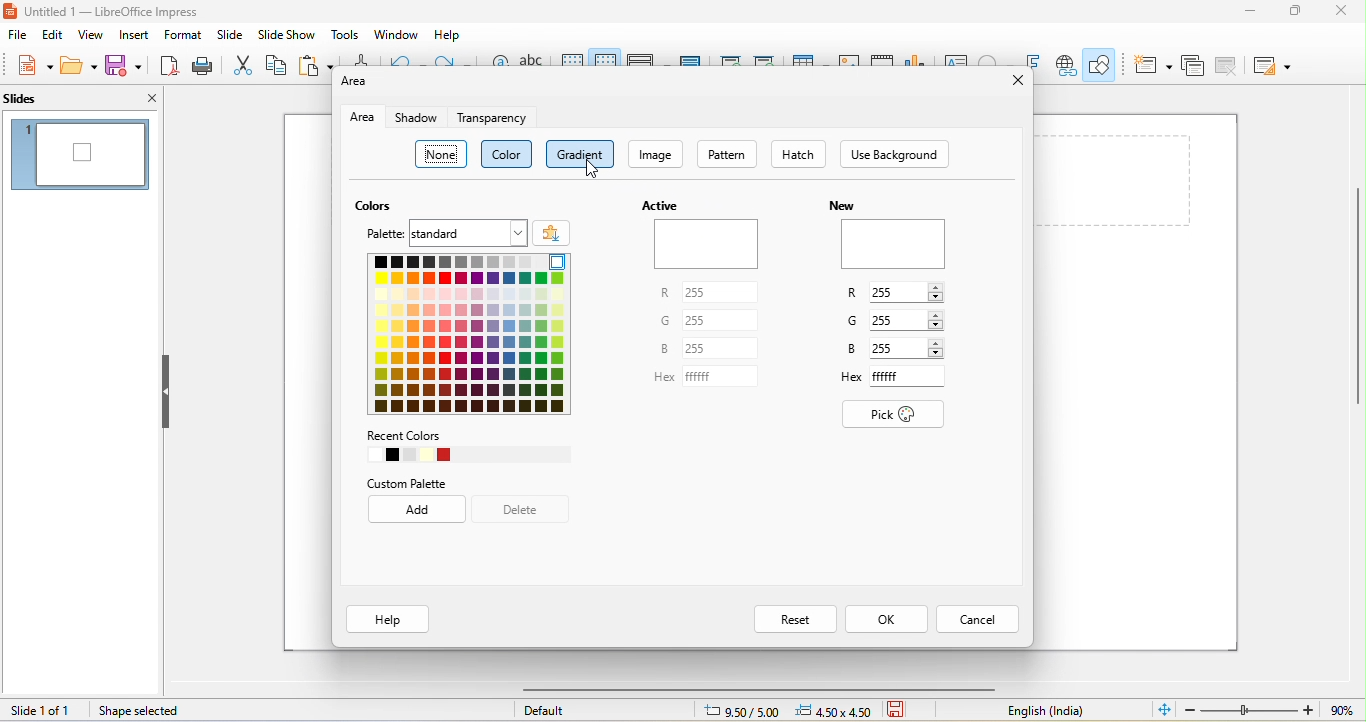 This screenshot has width=1366, height=722. Describe the element at coordinates (946, 318) in the screenshot. I see `adjust` at that location.